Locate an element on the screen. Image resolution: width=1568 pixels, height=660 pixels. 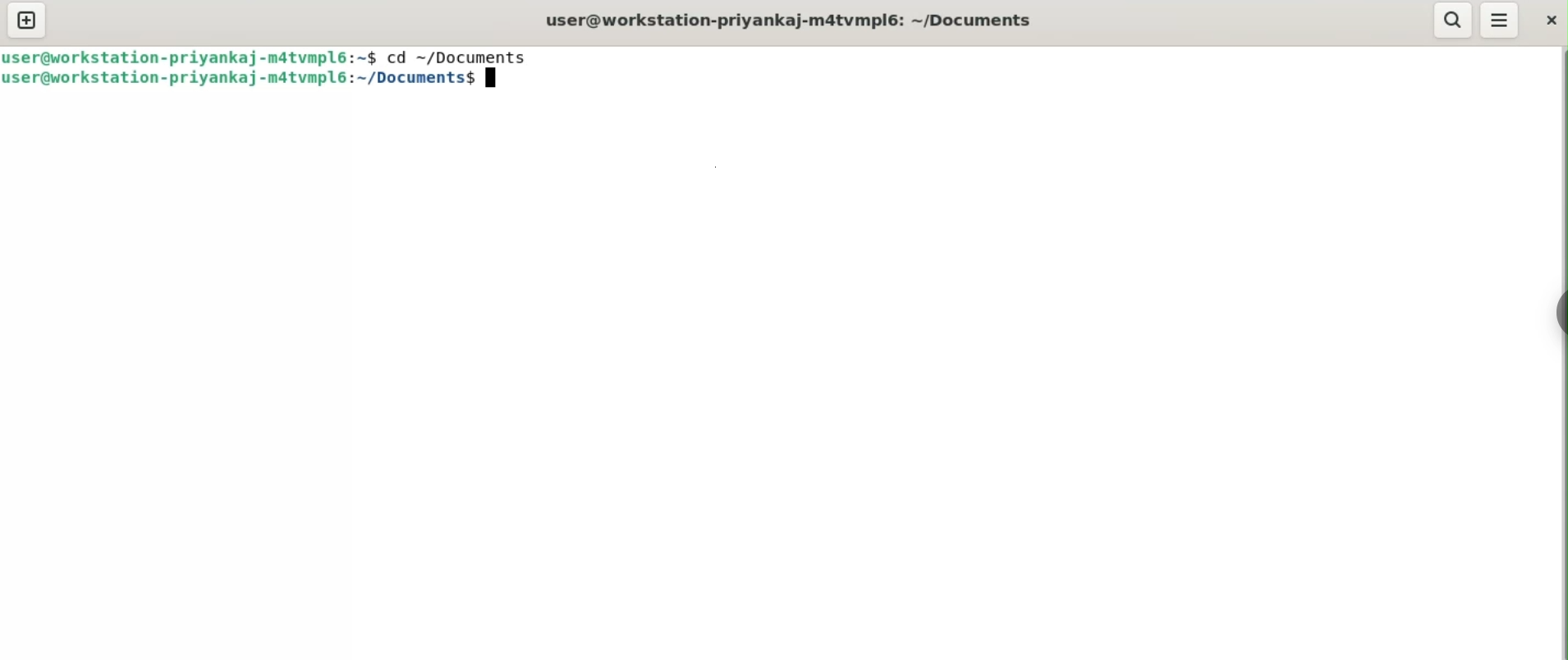
new tab is located at coordinates (27, 21).